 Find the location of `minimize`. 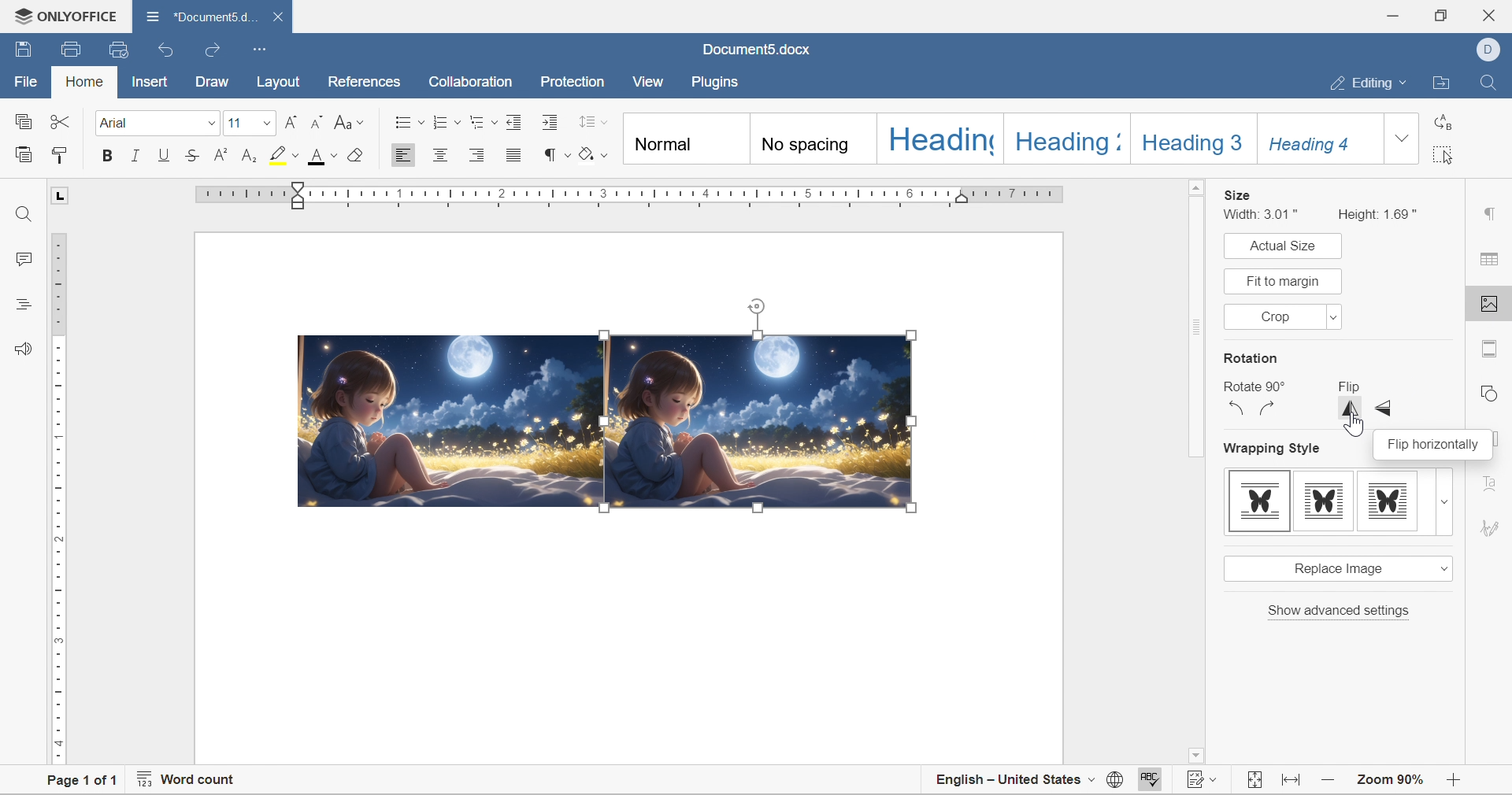

minimize is located at coordinates (1390, 17).